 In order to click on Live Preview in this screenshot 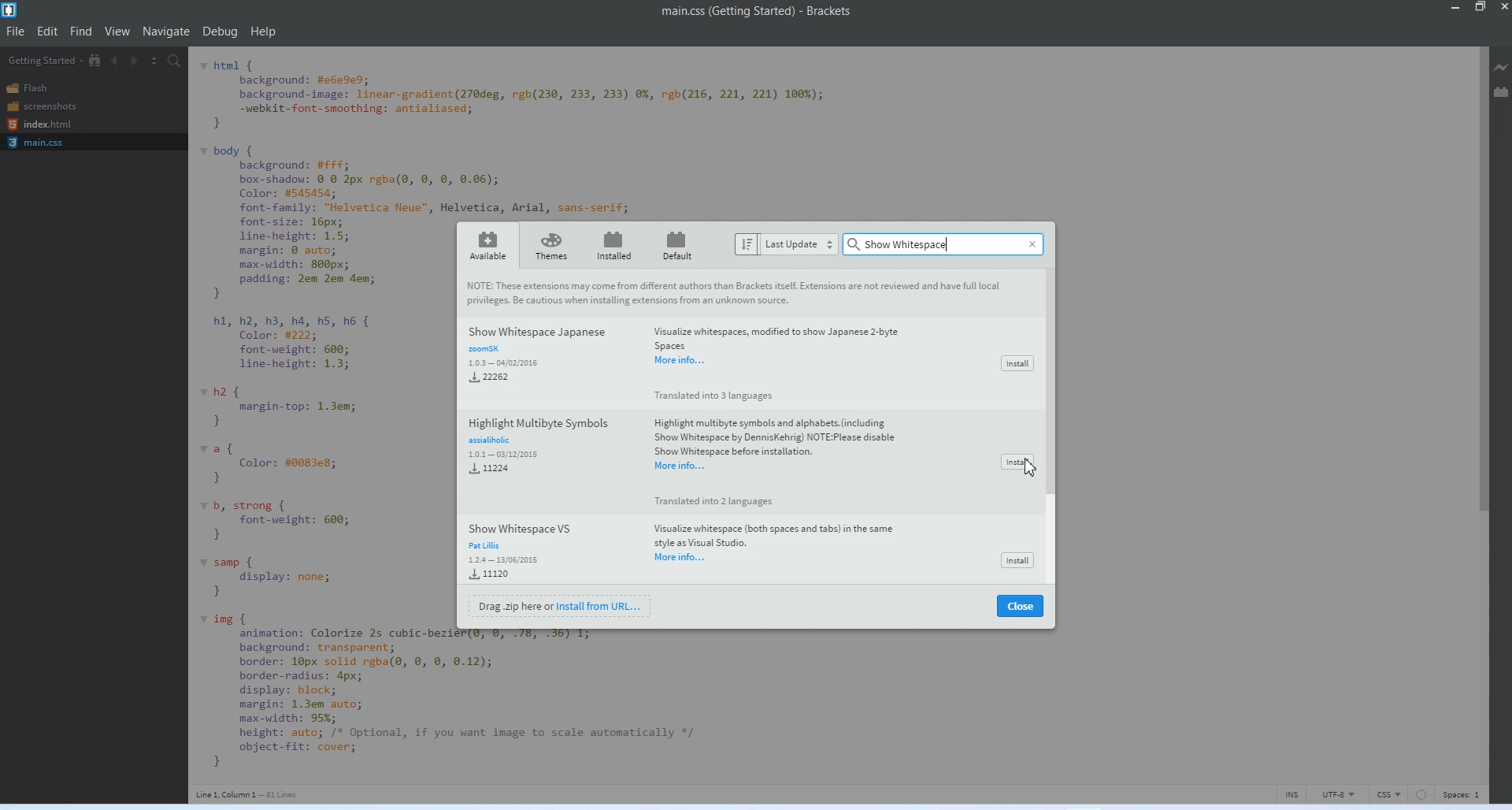, I will do `click(1502, 67)`.